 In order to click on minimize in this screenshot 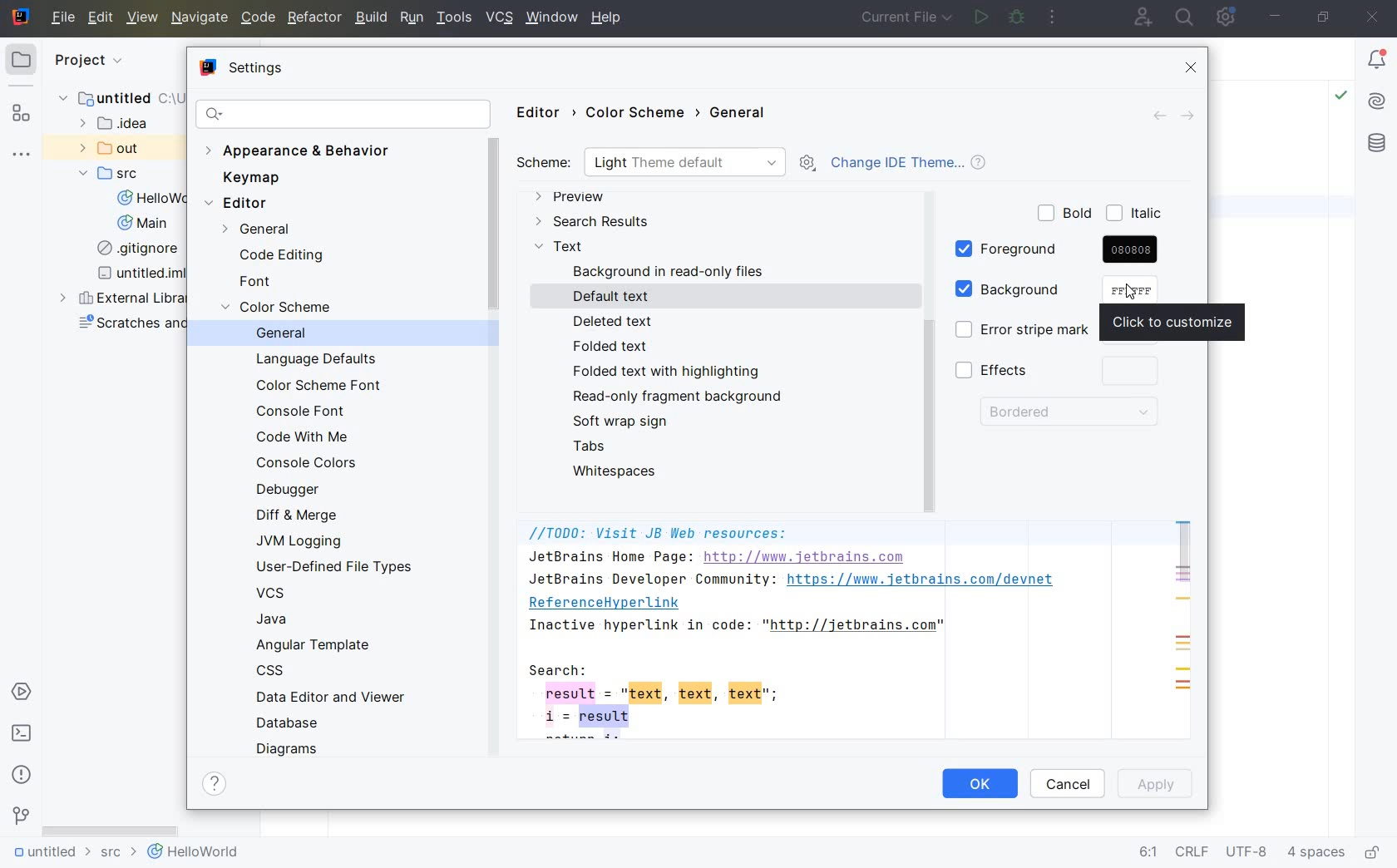, I will do `click(1277, 17)`.